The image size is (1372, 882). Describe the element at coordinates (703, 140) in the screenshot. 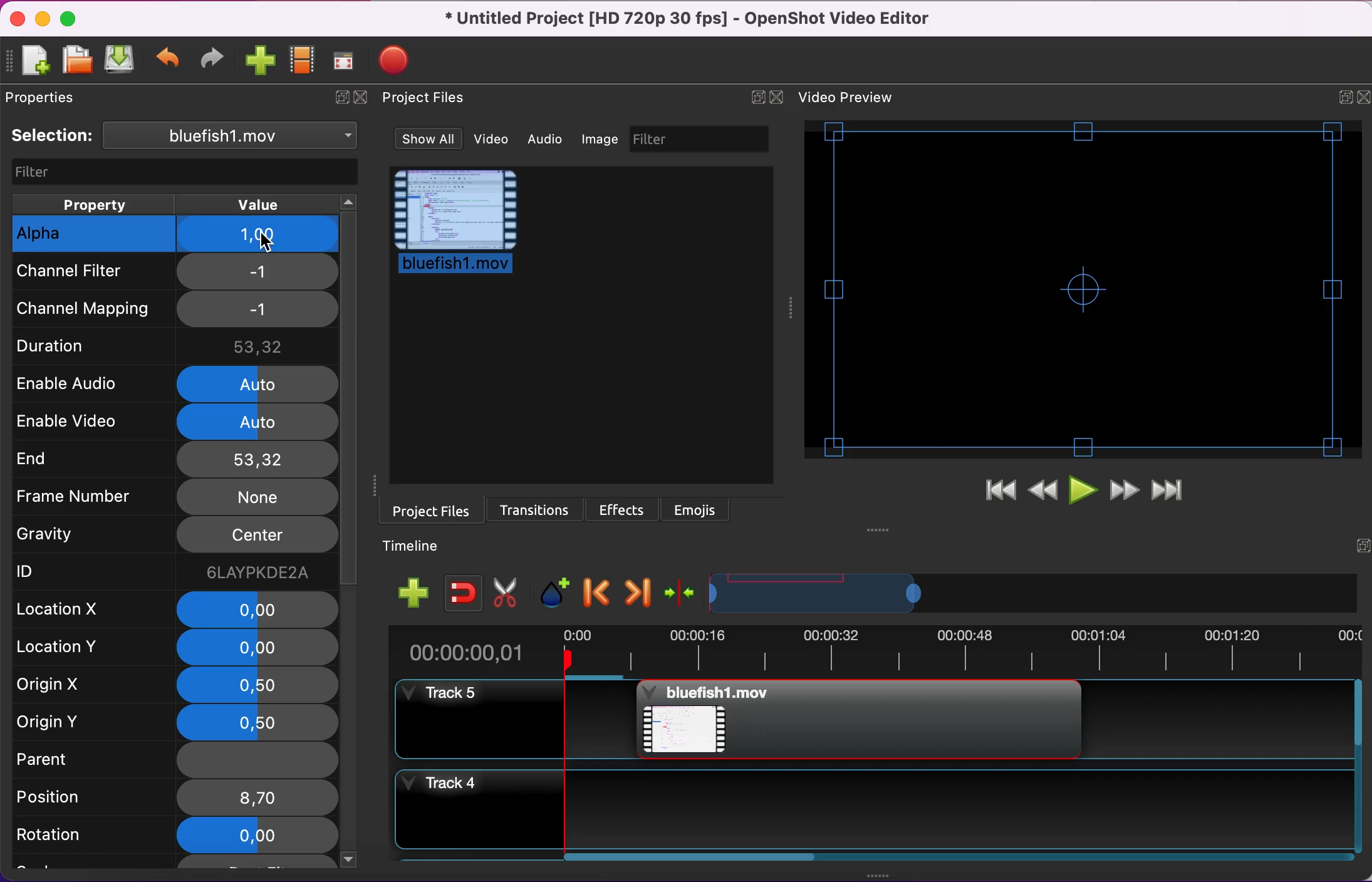

I see `filter` at that location.